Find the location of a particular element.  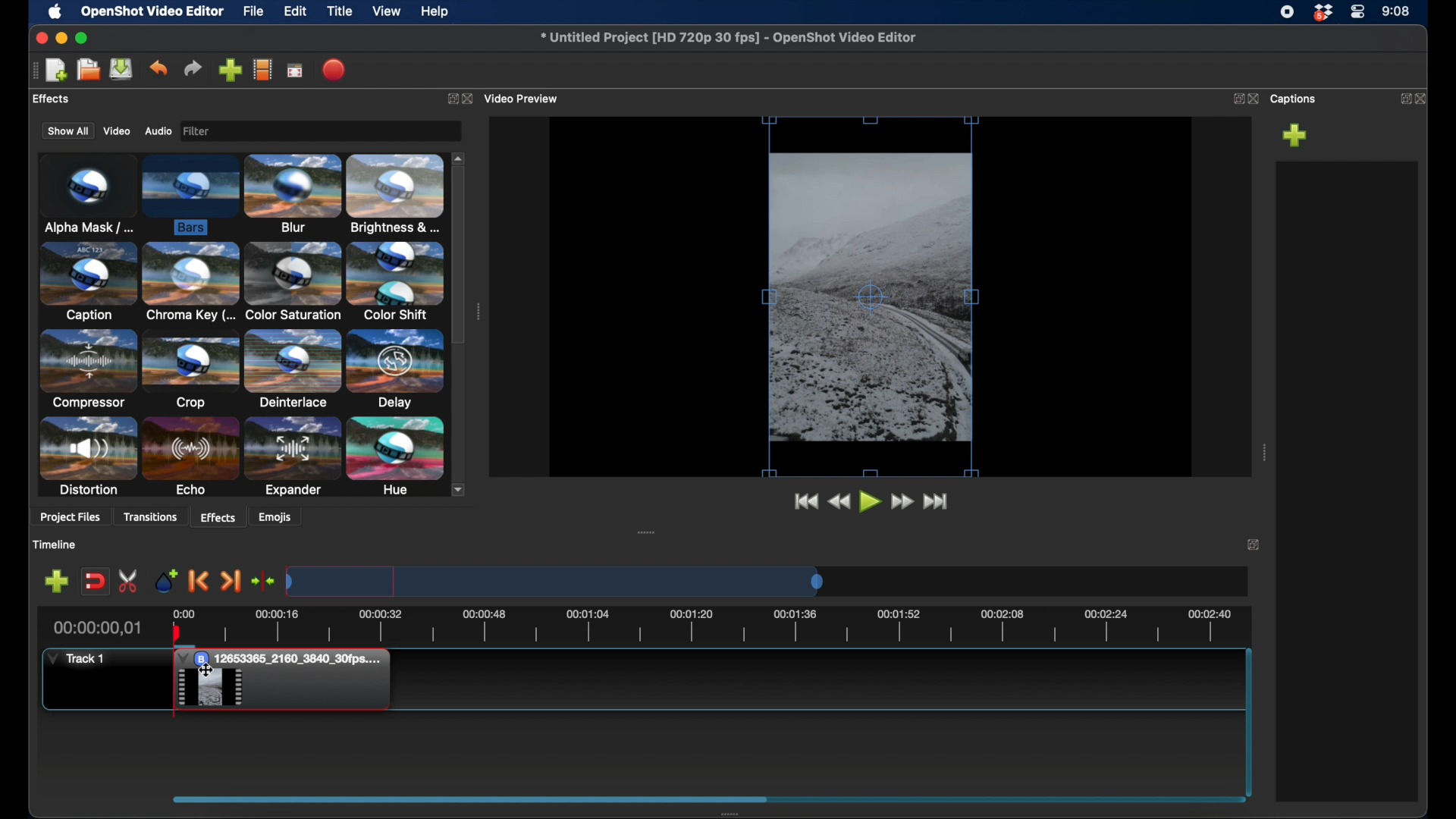

export video is located at coordinates (332, 70).